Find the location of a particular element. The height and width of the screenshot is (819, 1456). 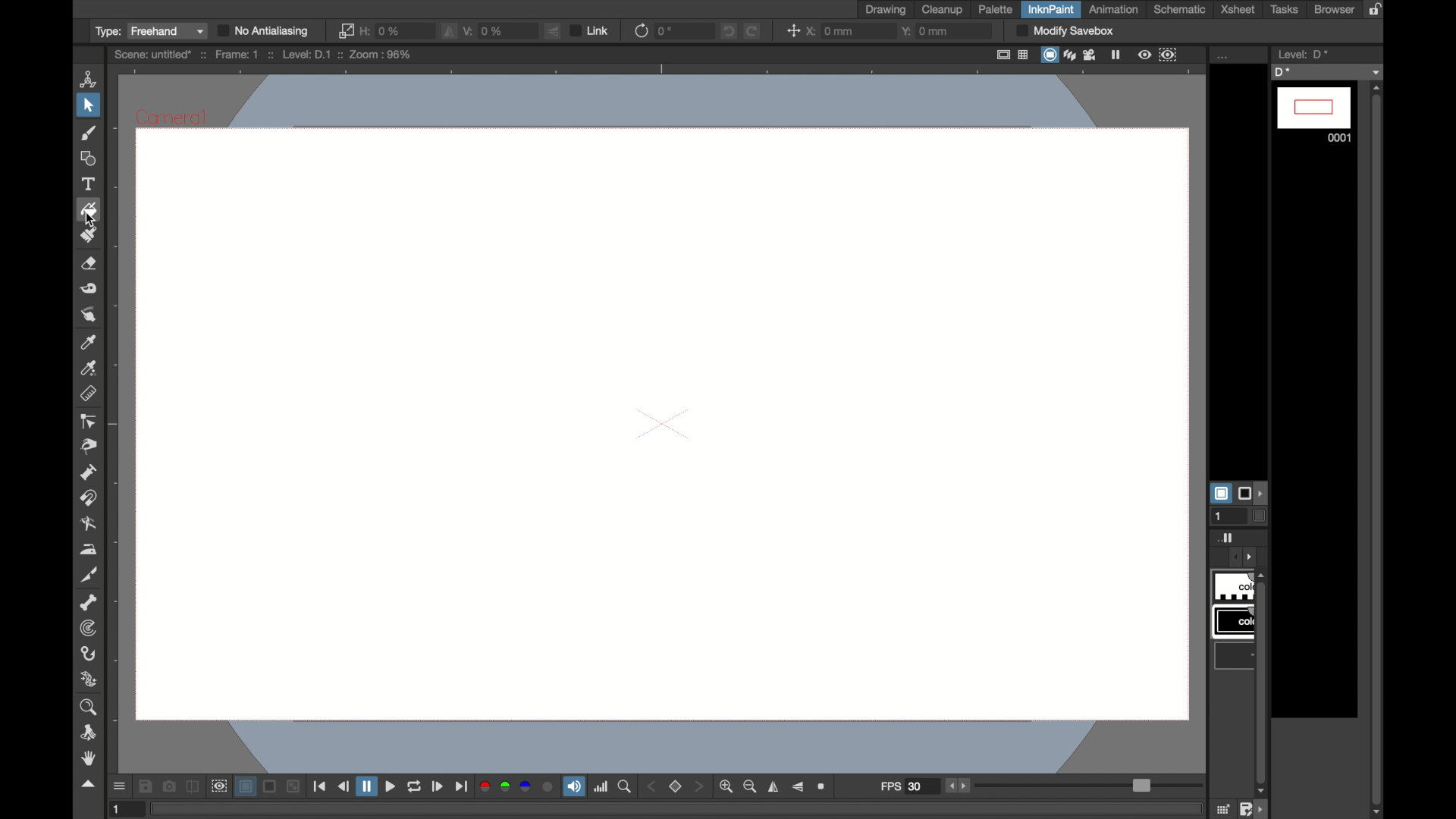

film is located at coordinates (1093, 55).